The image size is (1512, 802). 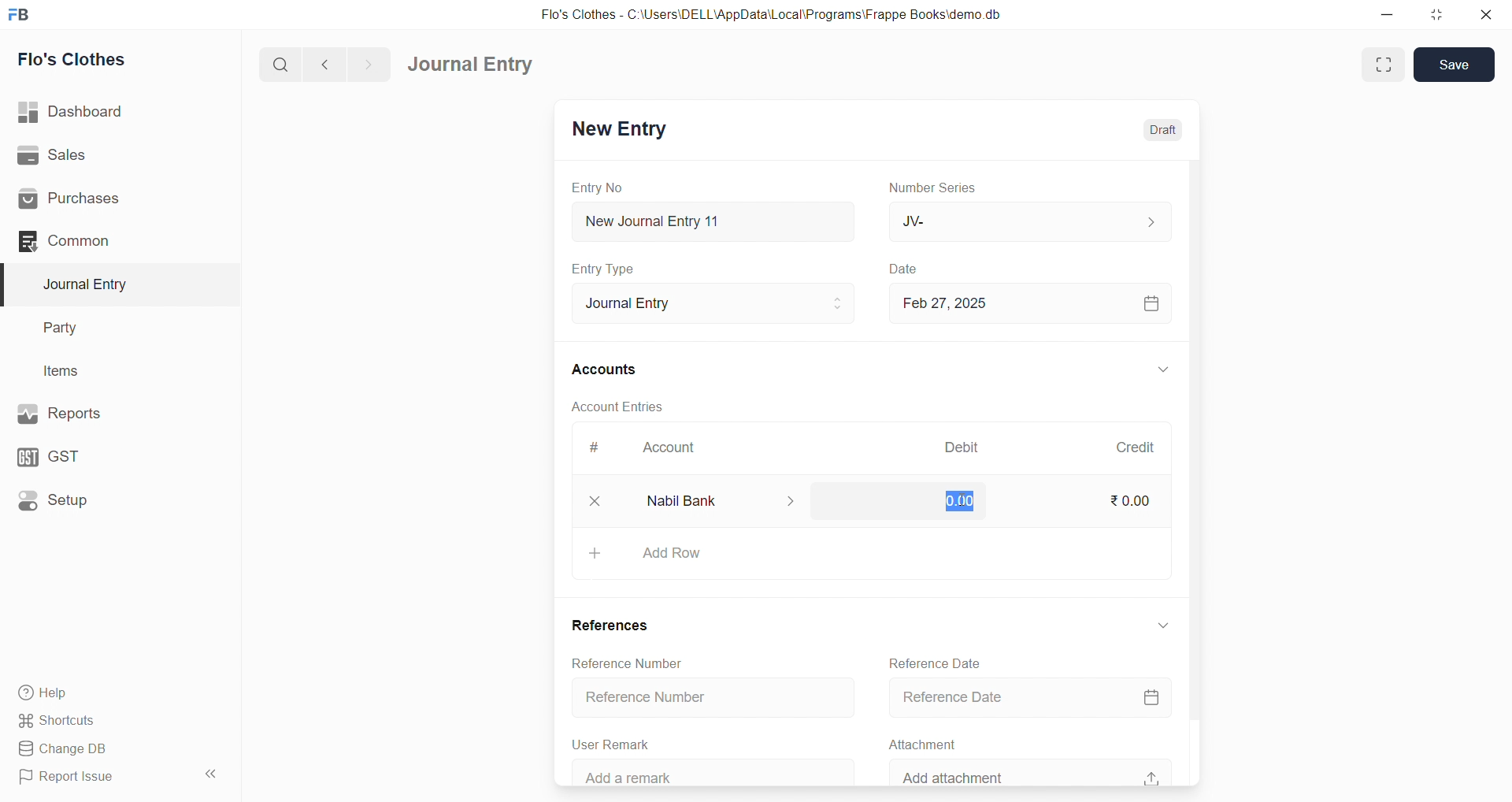 I want to click on Account, so click(x=676, y=446).